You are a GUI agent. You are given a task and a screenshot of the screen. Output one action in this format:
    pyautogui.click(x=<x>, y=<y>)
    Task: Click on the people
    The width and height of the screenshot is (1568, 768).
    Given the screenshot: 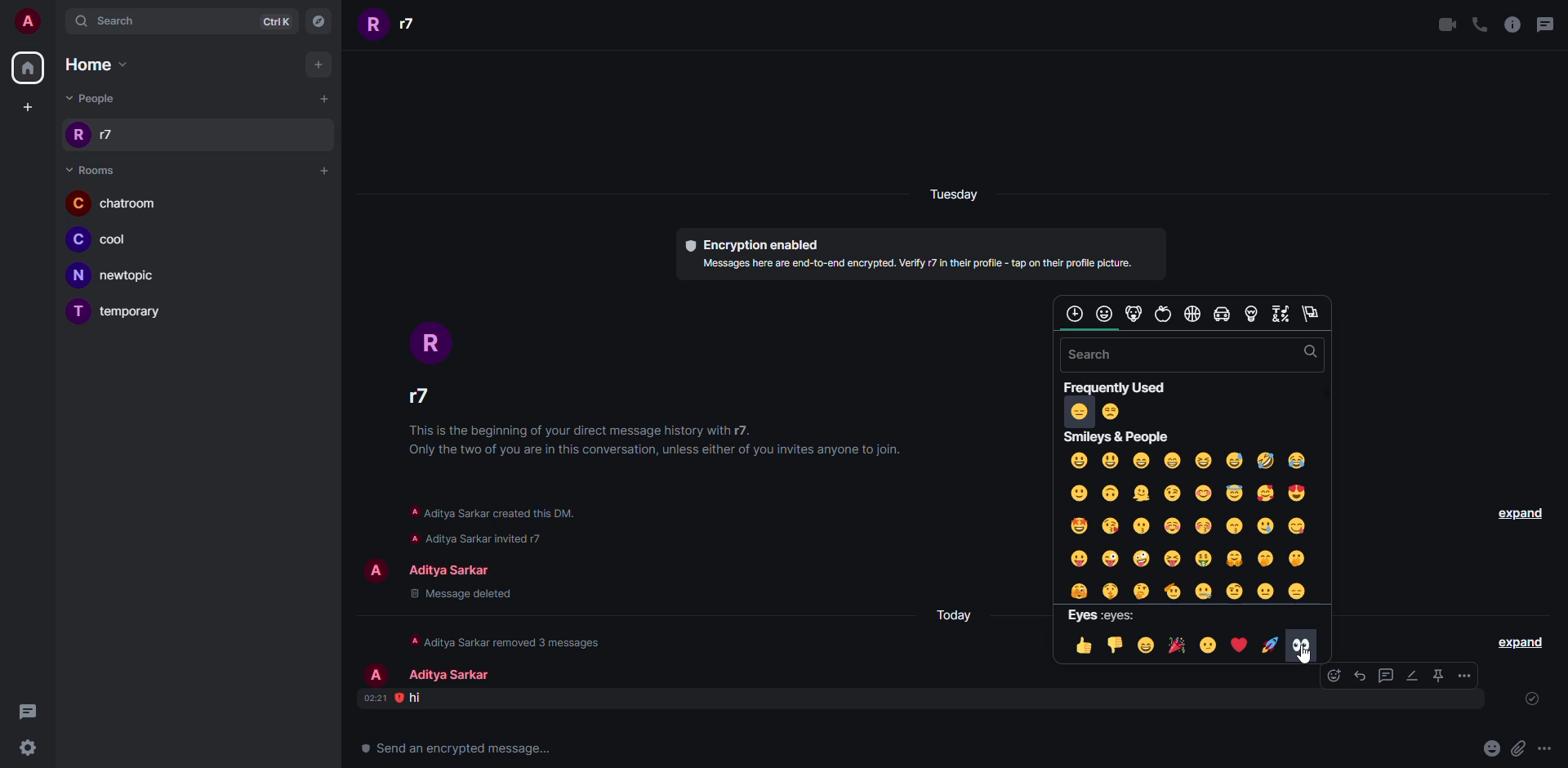 What is the action you would take?
    pyautogui.click(x=417, y=397)
    